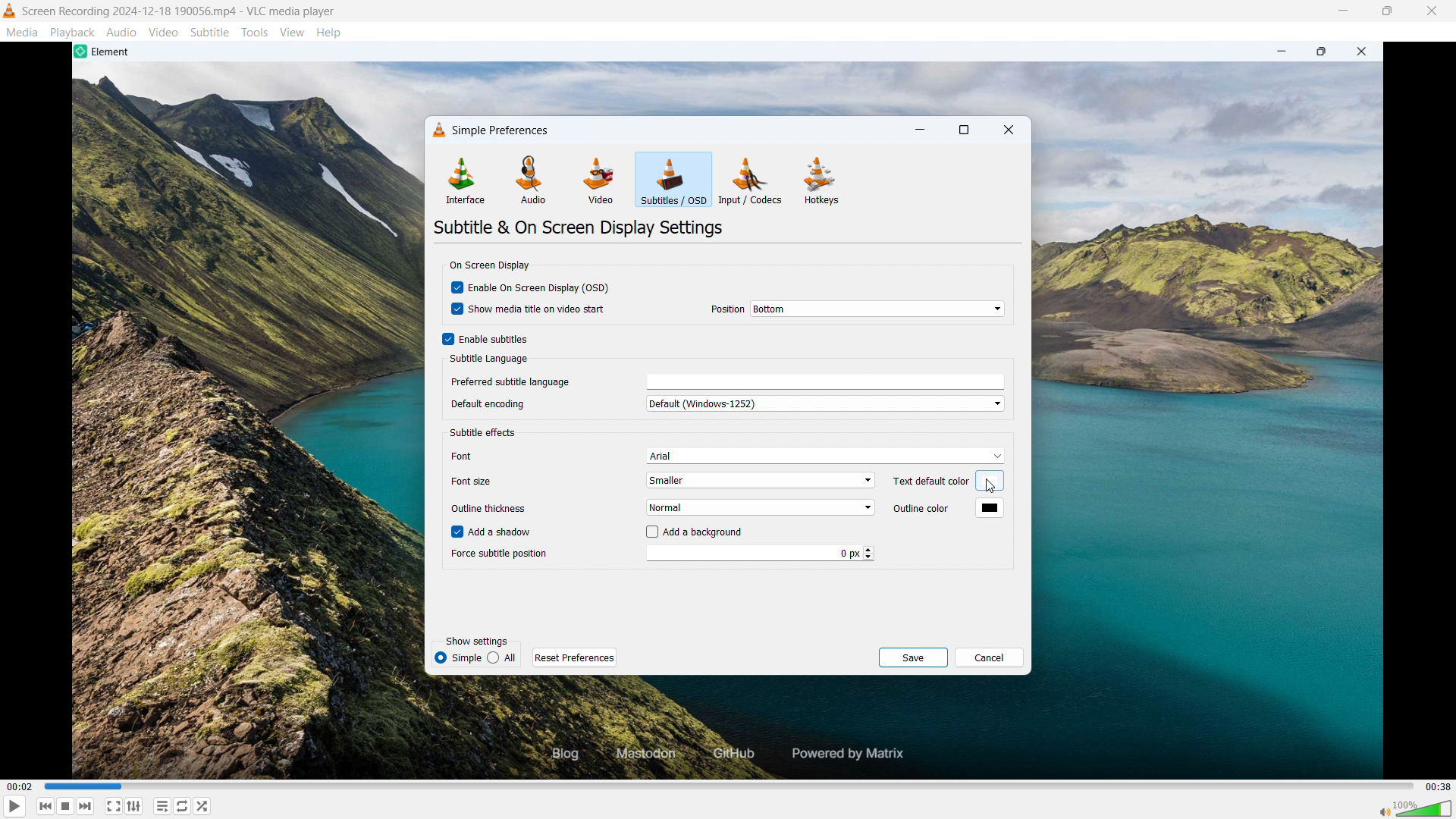 The image size is (1456, 819). What do you see at coordinates (465, 180) in the screenshot?
I see `Interface ` at bounding box center [465, 180].